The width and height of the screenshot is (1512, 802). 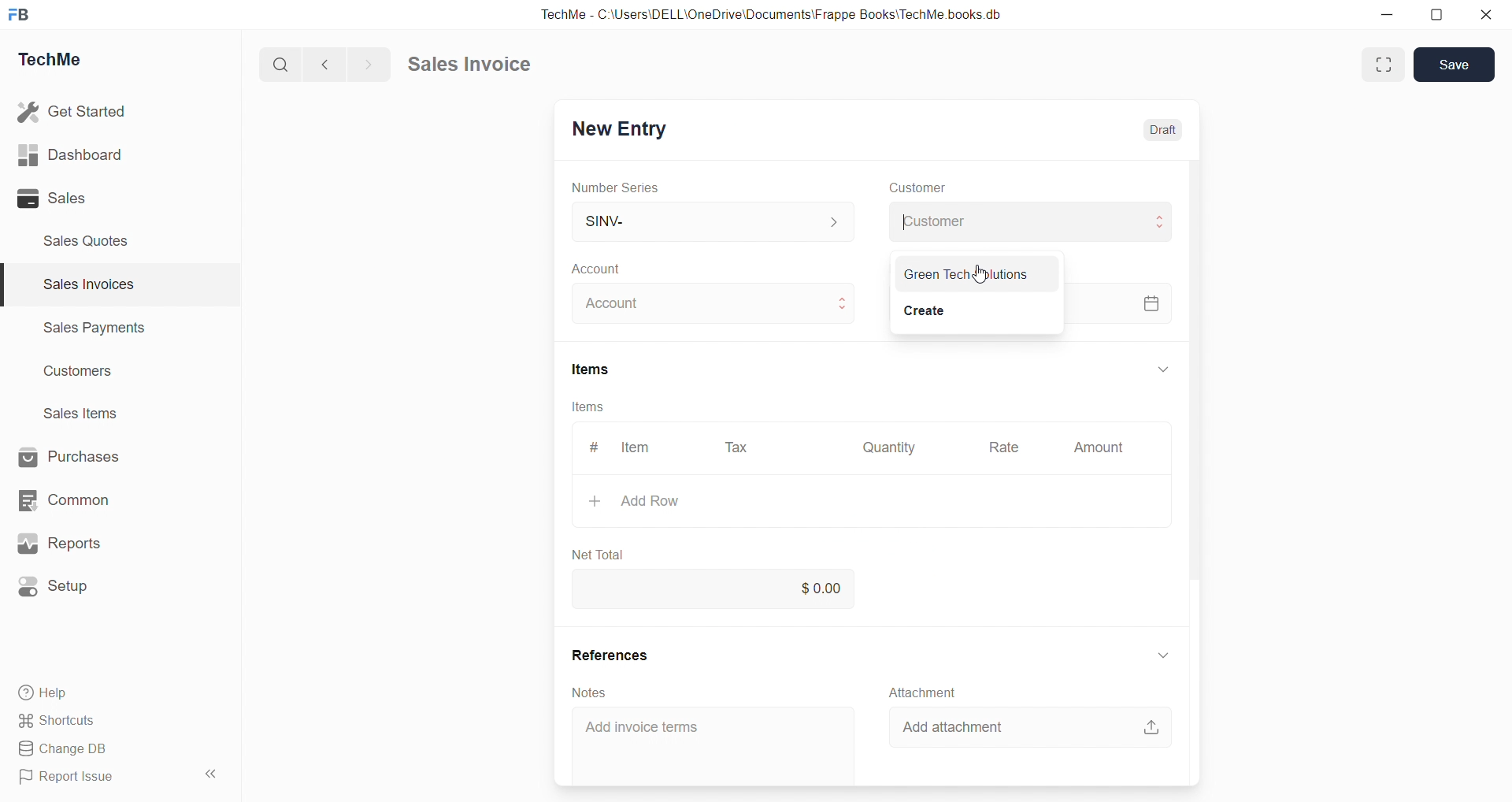 I want to click on Customer, so click(x=918, y=188).